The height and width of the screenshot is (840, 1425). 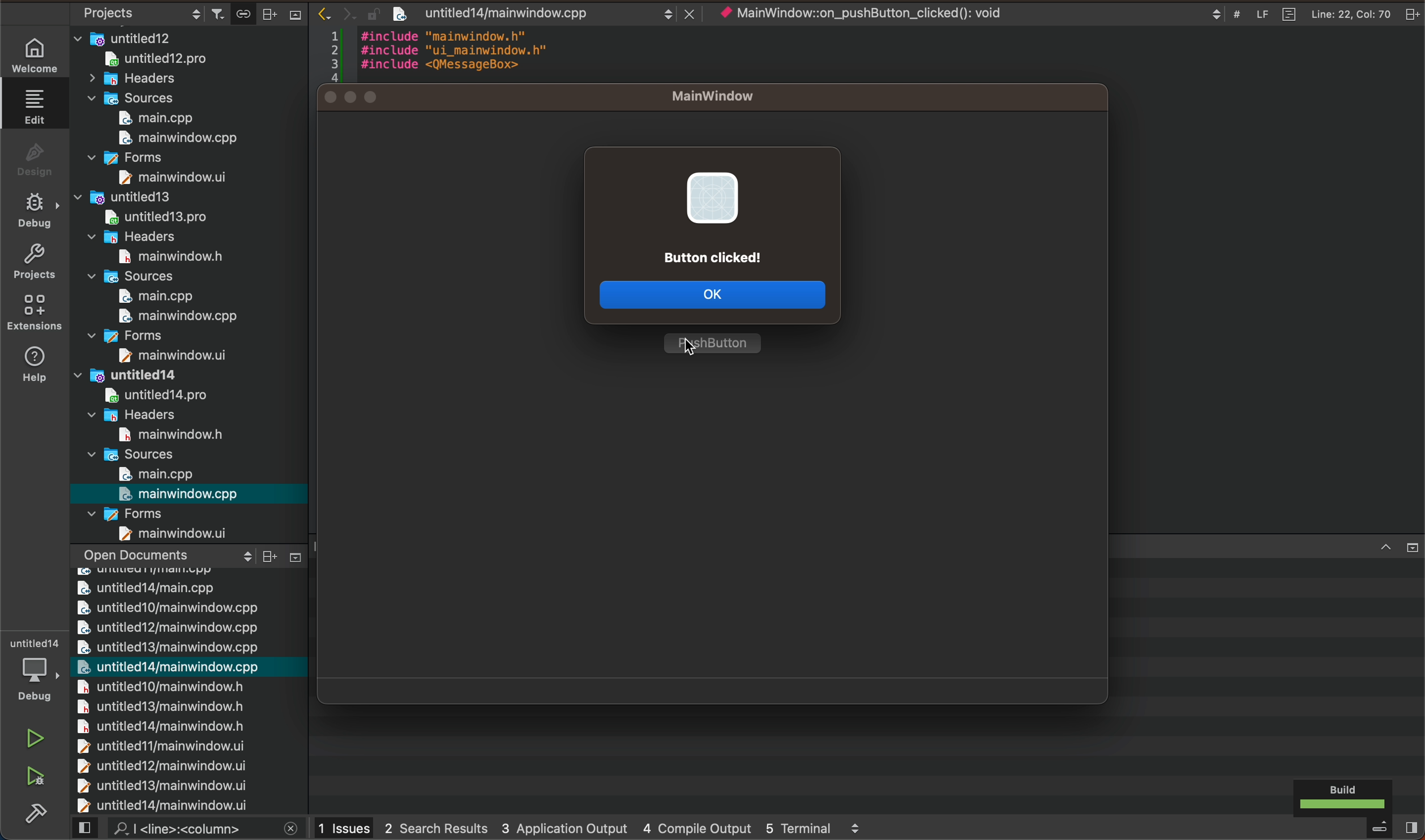 I want to click on main windowh, so click(x=161, y=433).